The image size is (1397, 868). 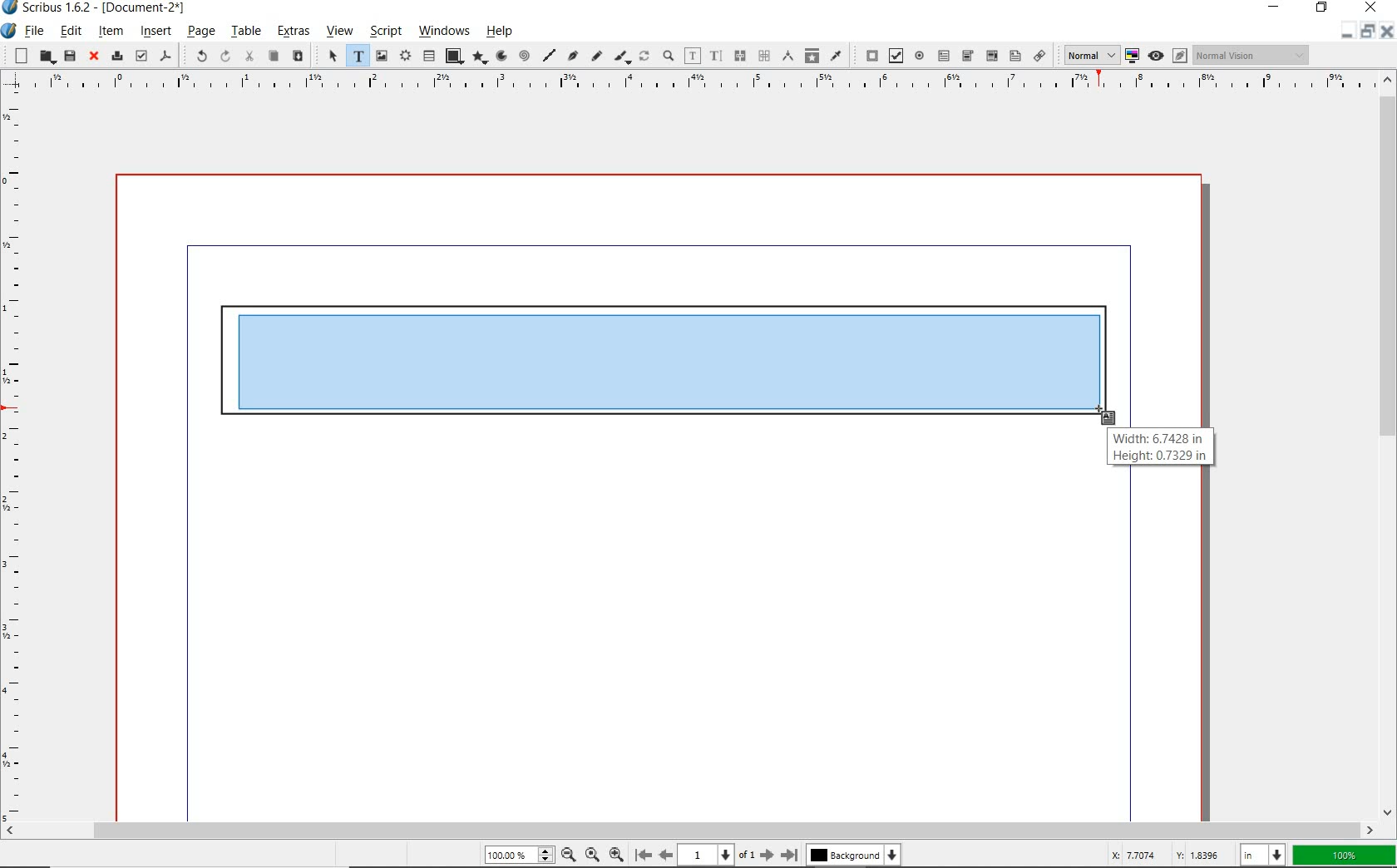 What do you see at coordinates (201, 31) in the screenshot?
I see `page` at bounding box center [201, 31].